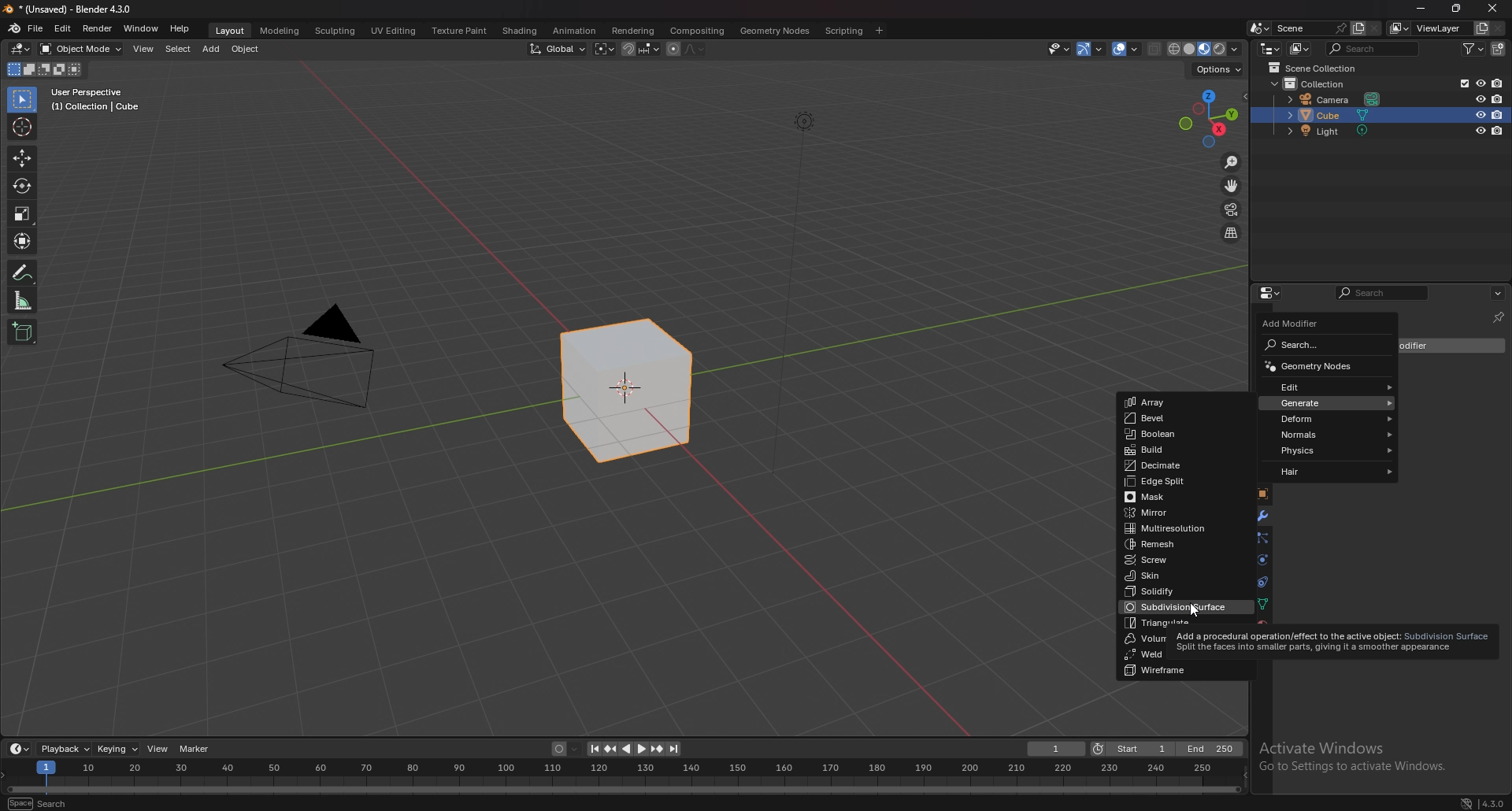  I want to click on proportional editing fall off, so click(695, 50).